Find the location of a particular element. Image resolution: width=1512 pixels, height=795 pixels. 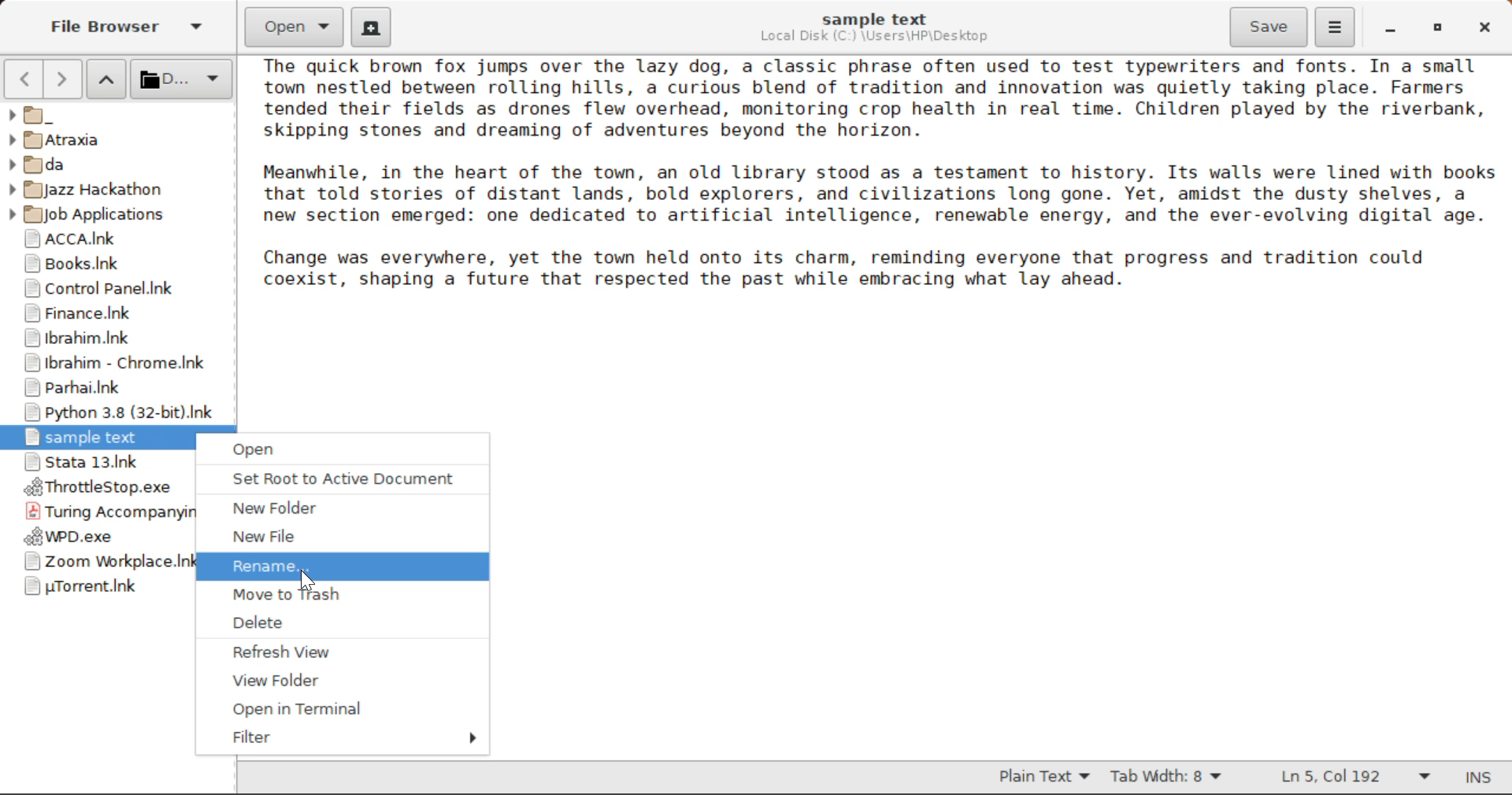

More Options is located at coordinates (1336, 26).